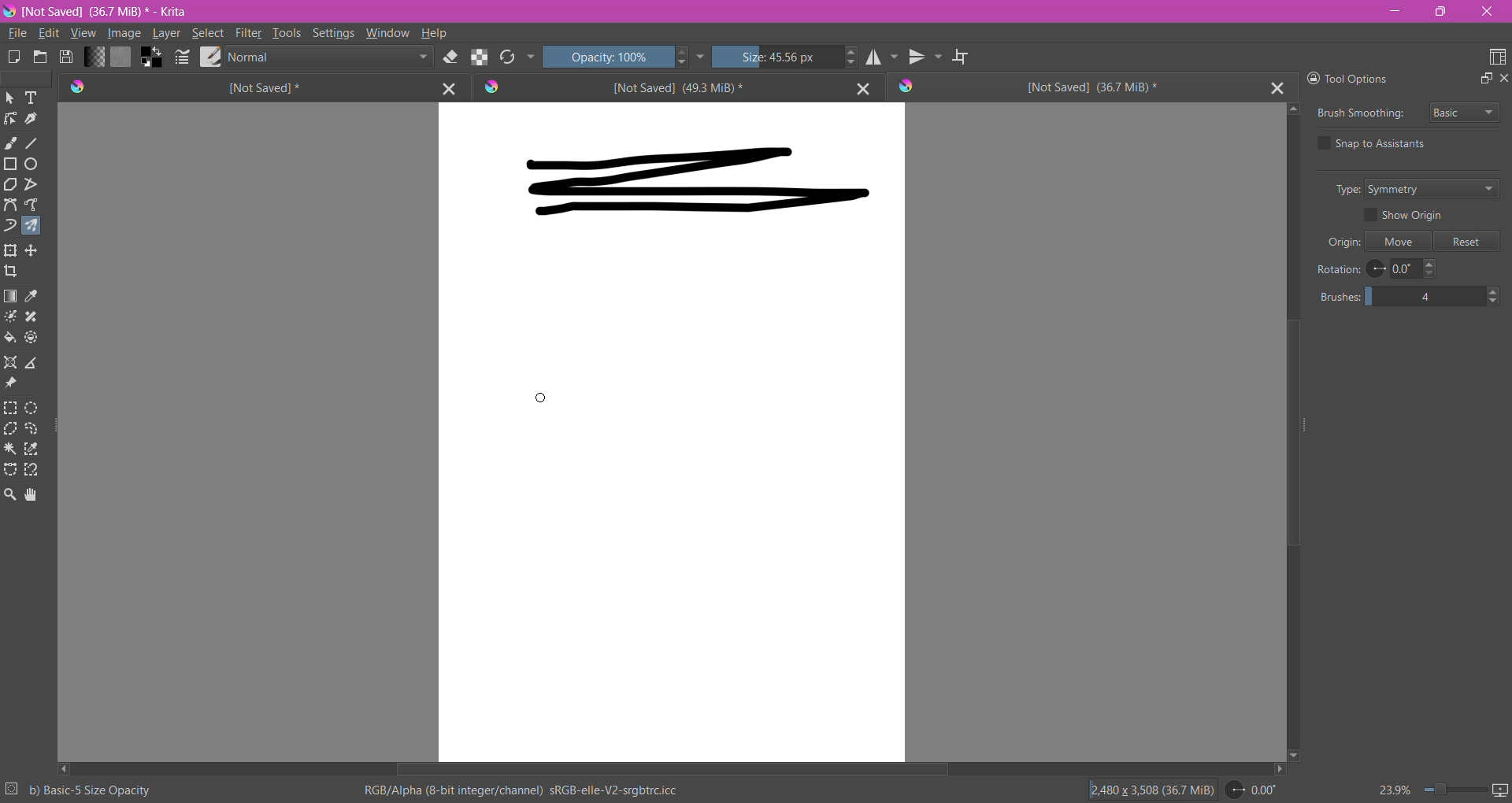 The width and height of the screenshot is (1512, 803). What do you see at coordinates (16, 34) in the screenshot?
I see `File` at bounding box center [16, 34].